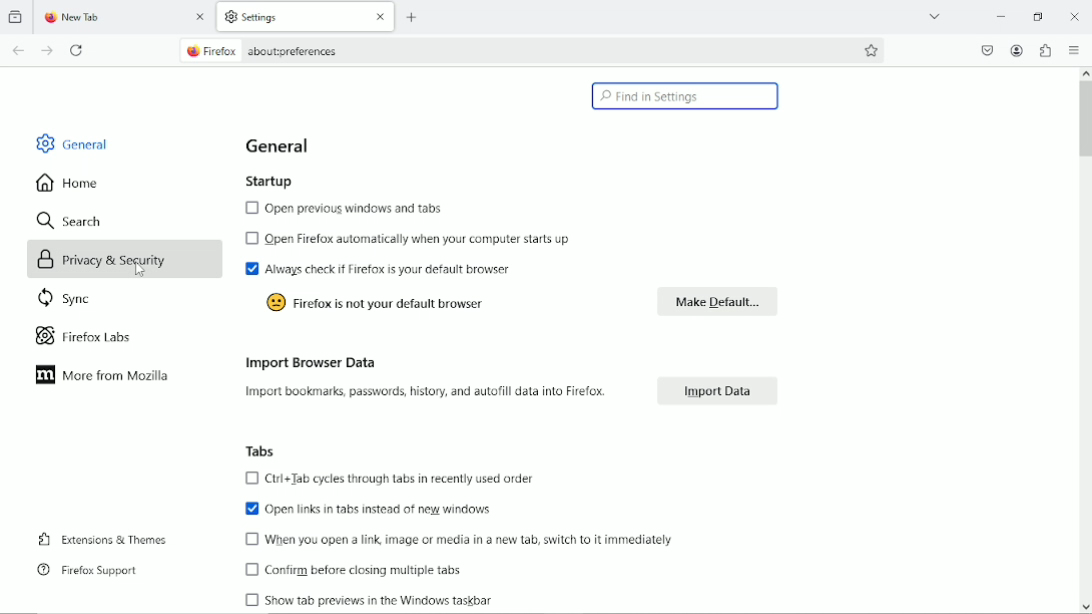 This screenshot has height=614, width=1092. I want to click on about:oreferences, so click(301, 52).